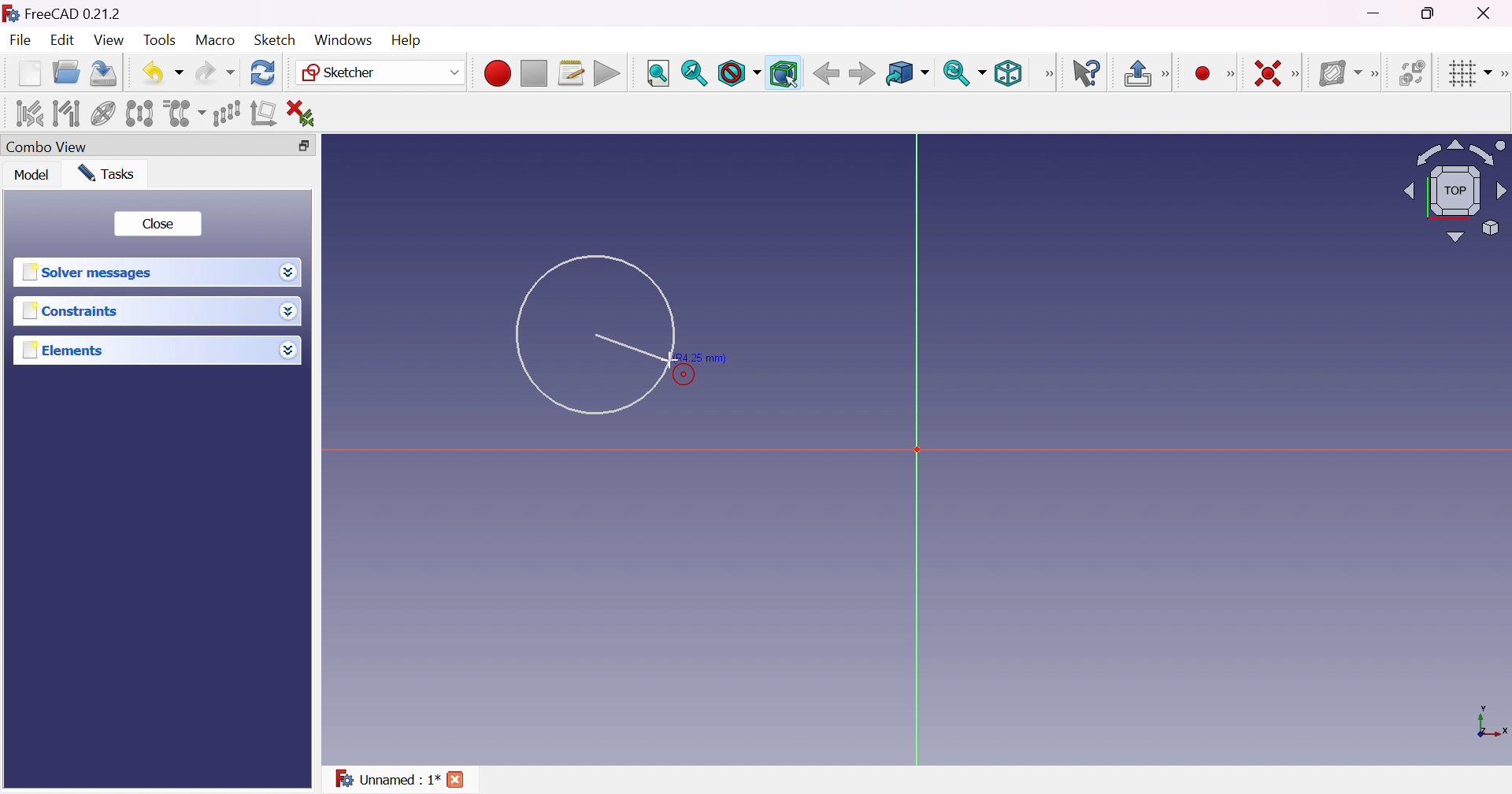 This screenshot has width=1512, height=794. Describe the element at coordinates (161, 41) in the screenshot. I see `Tools` at that location.